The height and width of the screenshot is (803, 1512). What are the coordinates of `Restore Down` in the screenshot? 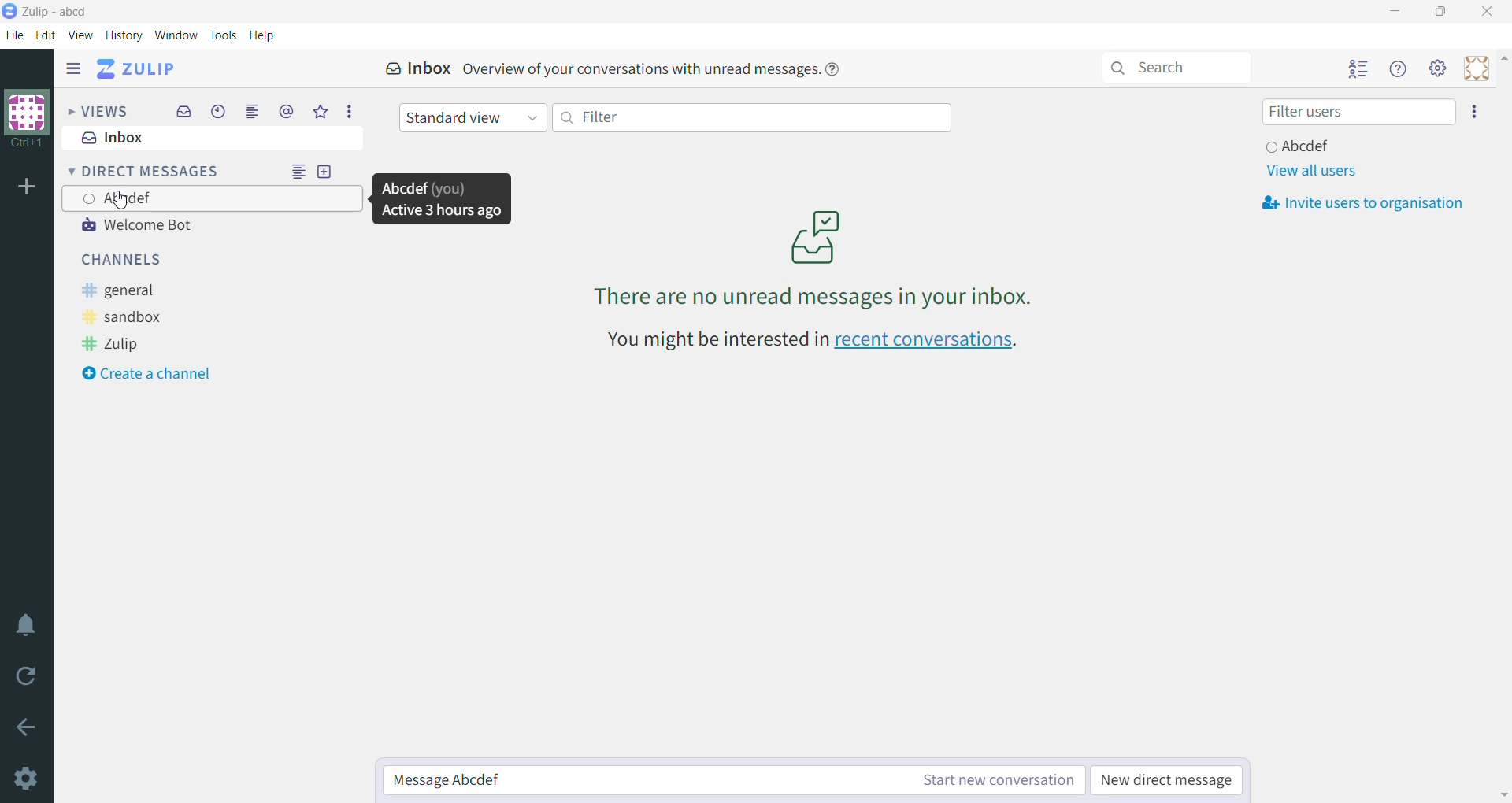 It's located at (1443, 12).